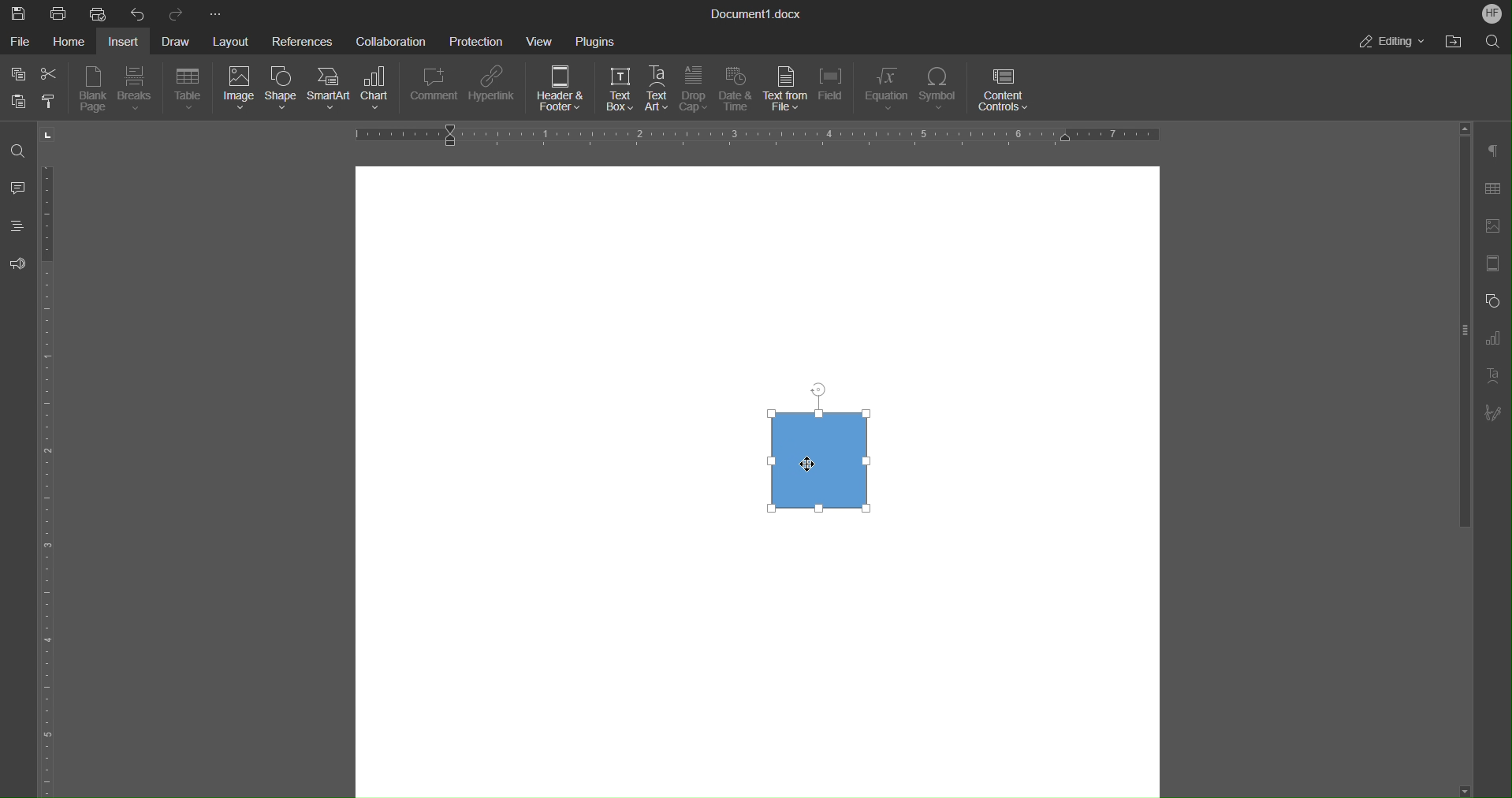 Image resolution: width=1512 pixels, height=798 pixels. What do you see at coordinates (543, 40) in the screenshot?
I see `View` at bounding box center [543, 40].